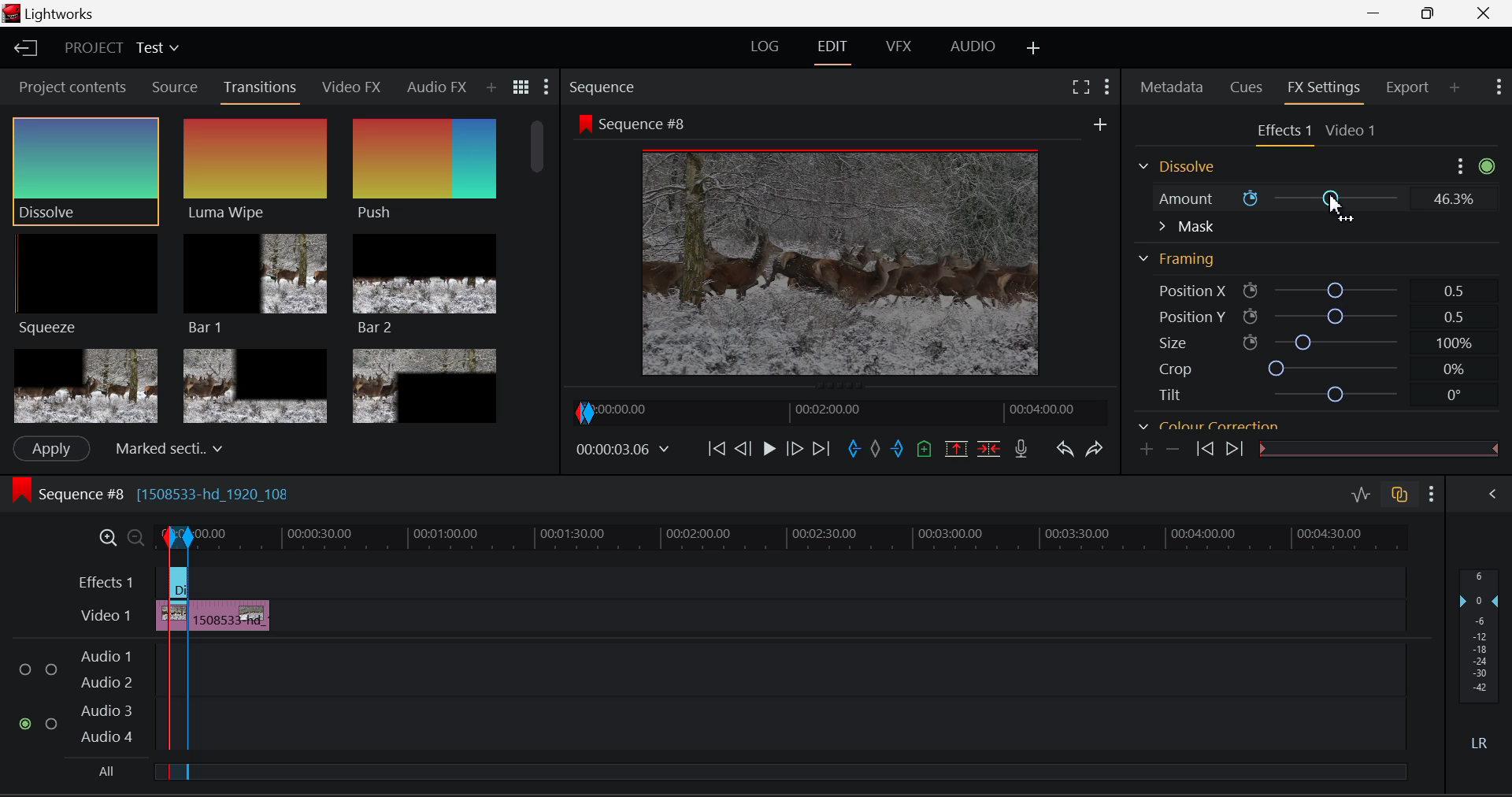  Describe the element at coordinates (1338, 209) in the screenshot. I see `DRAG_TO Cursor Position` at that location.